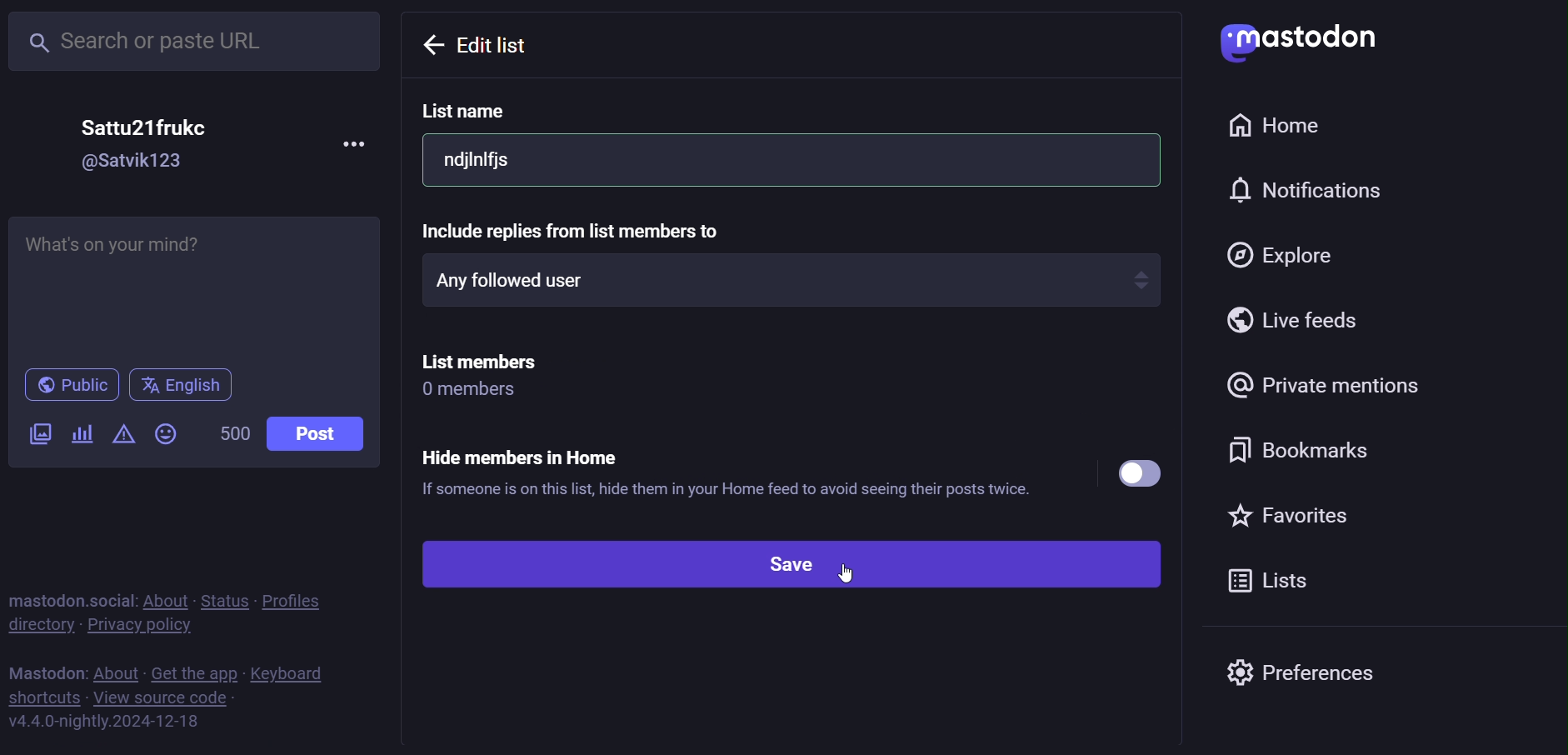 The height and width of the screenshot is (755, 1568). I want to click on Whats on your mind, so click(194, 284).